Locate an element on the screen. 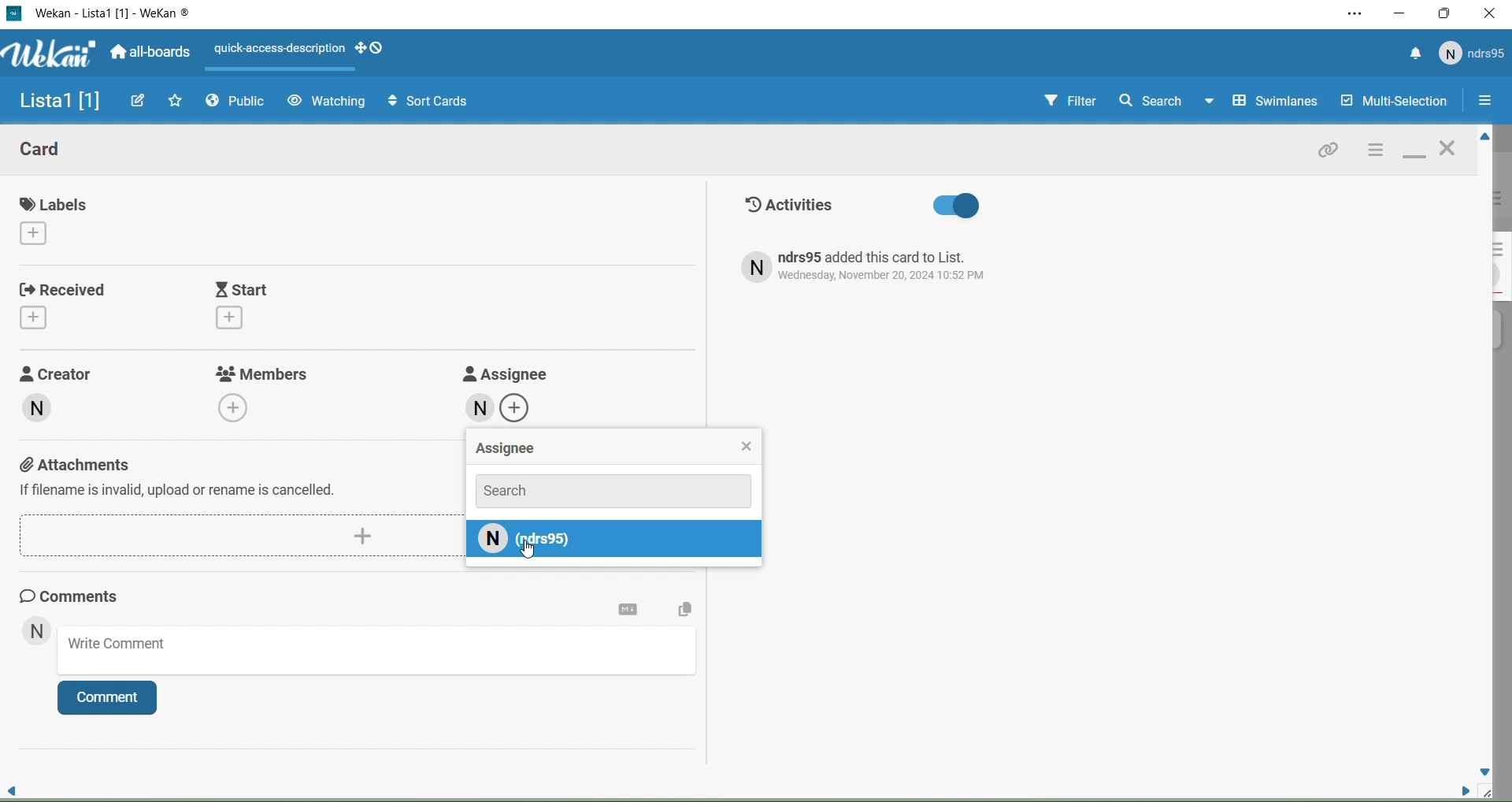 This screenshot has height=802, width=1512. Wekan logo is located at coordinates (46, 55).